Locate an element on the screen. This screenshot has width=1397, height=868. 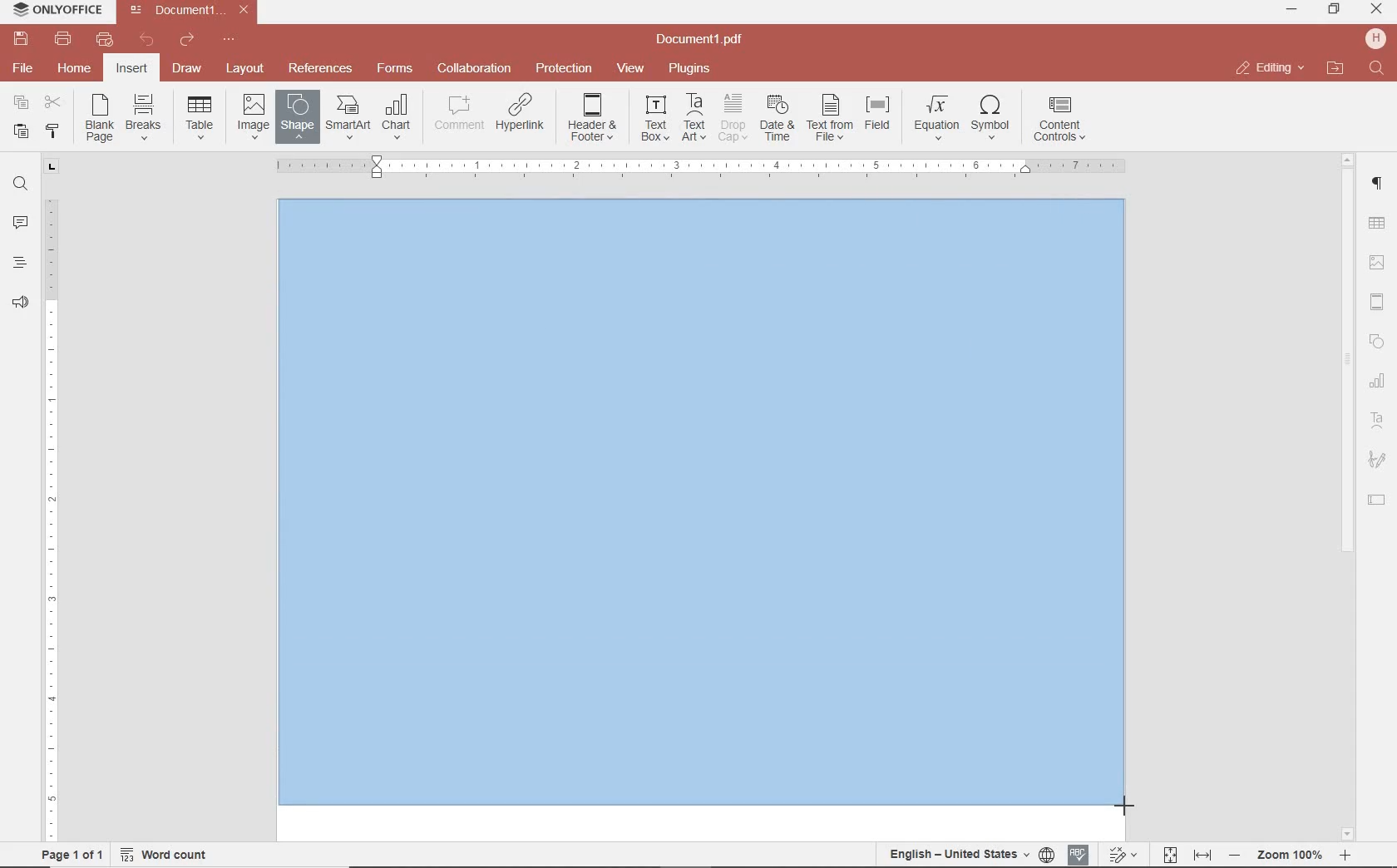
DROP CAP is located at coordinates (733, 118).